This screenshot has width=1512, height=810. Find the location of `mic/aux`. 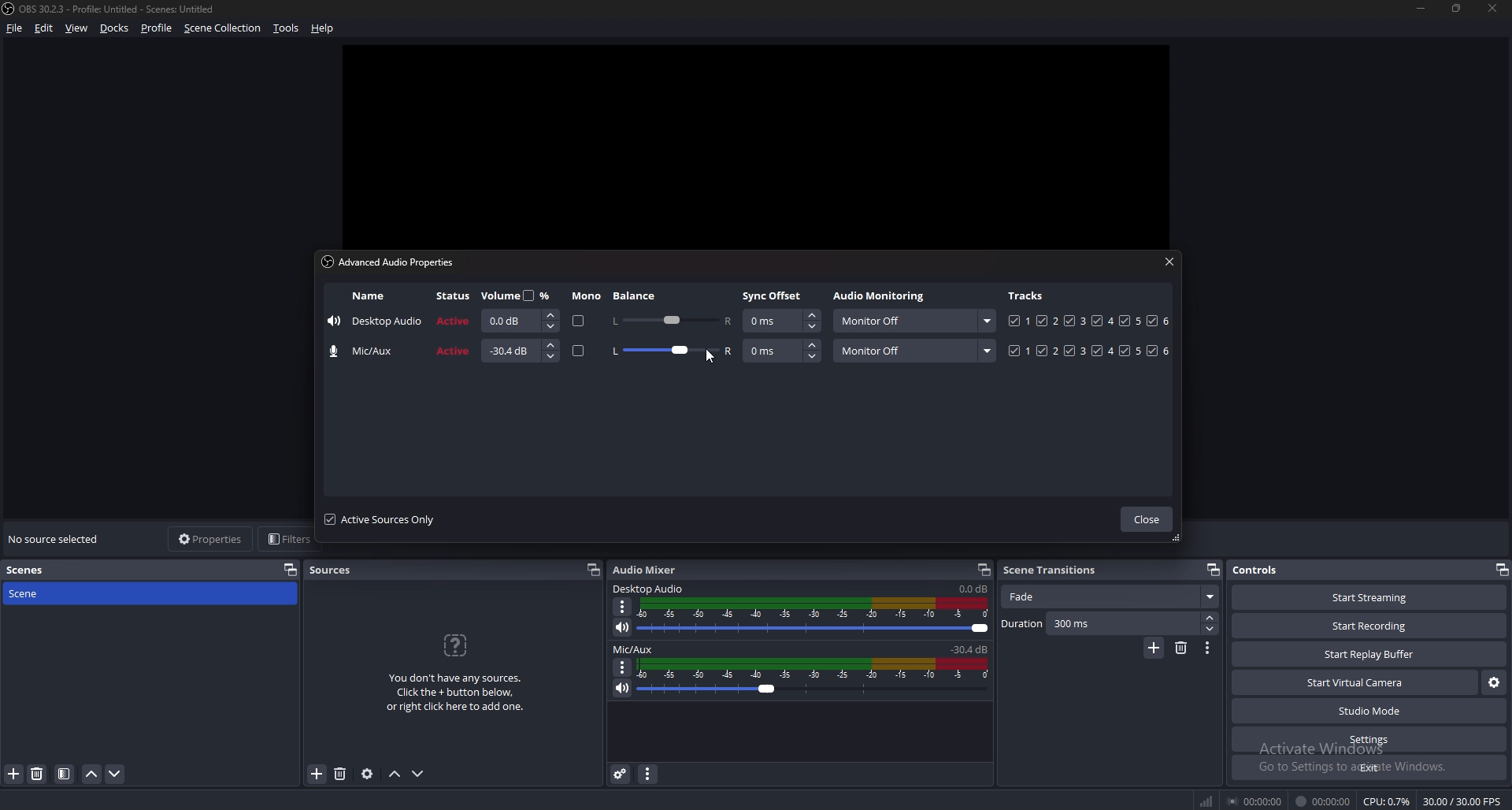

mic/aux is located at coordinates (636, 648).